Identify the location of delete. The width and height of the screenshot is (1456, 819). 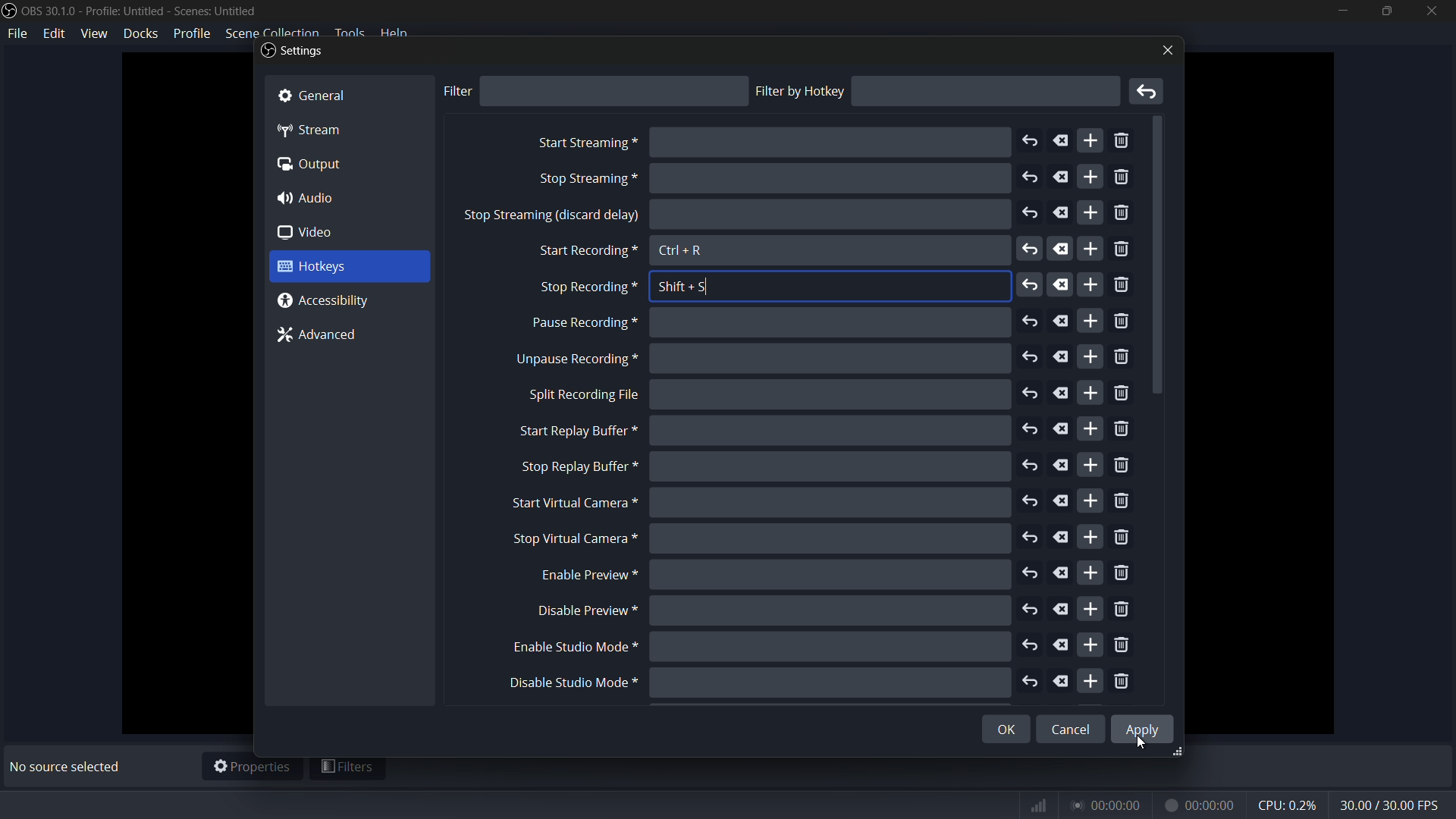
(1063, 682).